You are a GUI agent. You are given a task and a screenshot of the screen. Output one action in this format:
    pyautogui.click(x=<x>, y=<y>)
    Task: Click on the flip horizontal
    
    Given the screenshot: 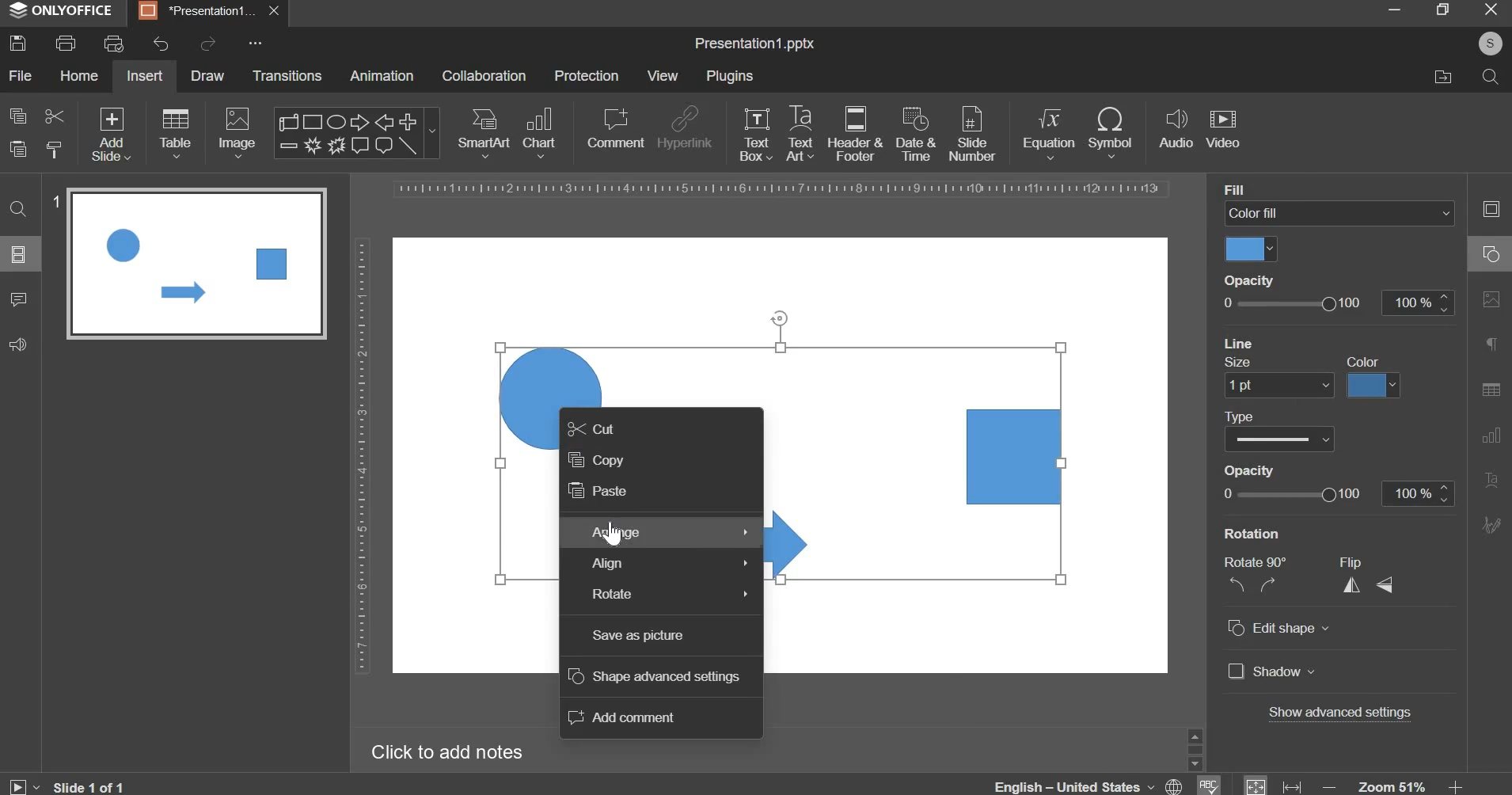 What is the action you would take?
    pyautogui.click(x=1357, y=584)
    